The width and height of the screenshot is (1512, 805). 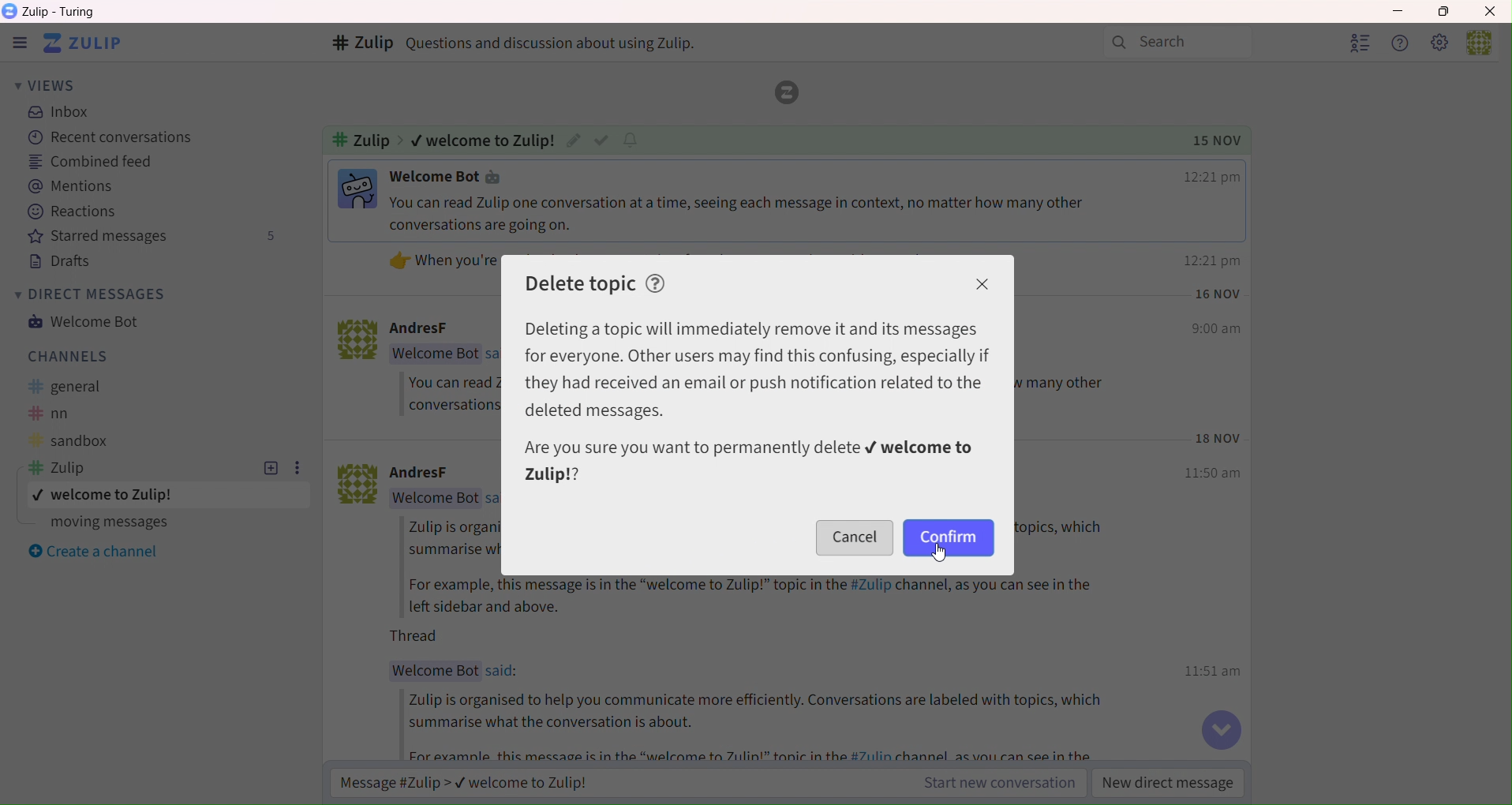 What do you see at coordinates (69, 186) in the screenshot?
I see `Mentions` at bounding box center [69, 186].